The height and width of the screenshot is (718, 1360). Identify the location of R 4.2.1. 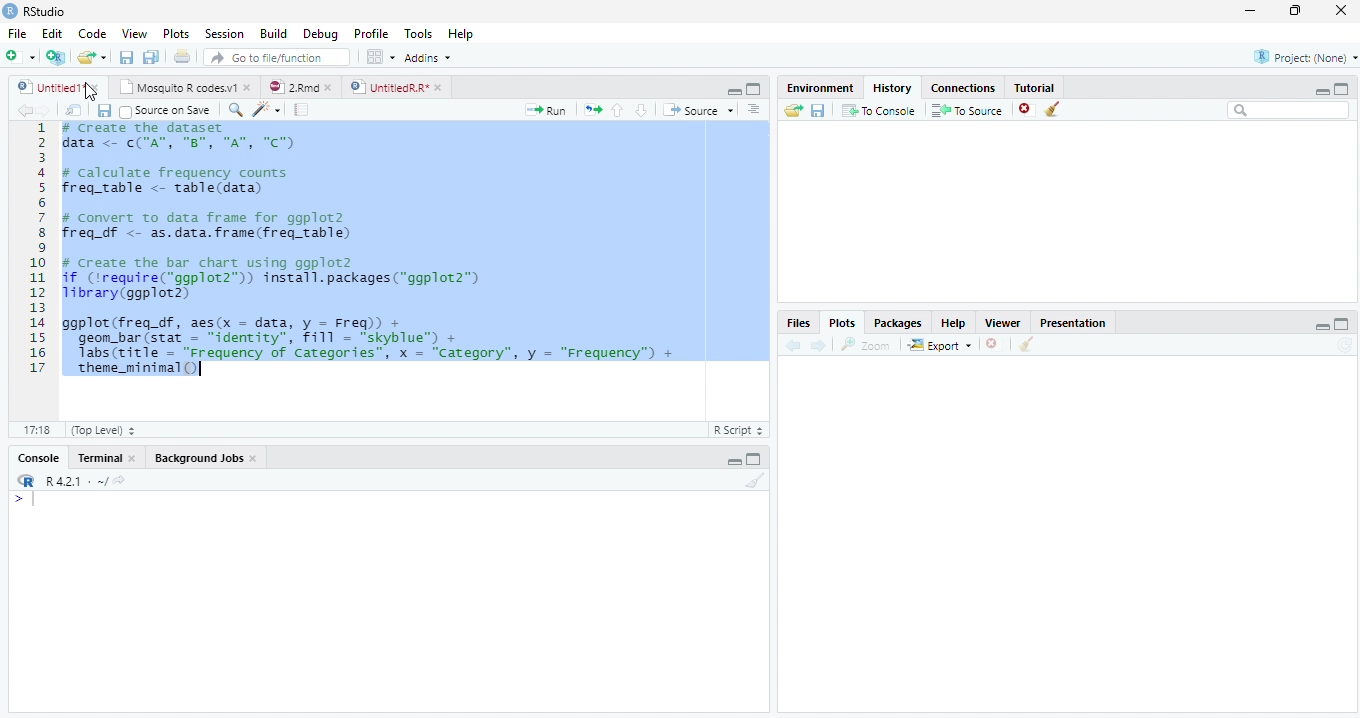
(70, 482).